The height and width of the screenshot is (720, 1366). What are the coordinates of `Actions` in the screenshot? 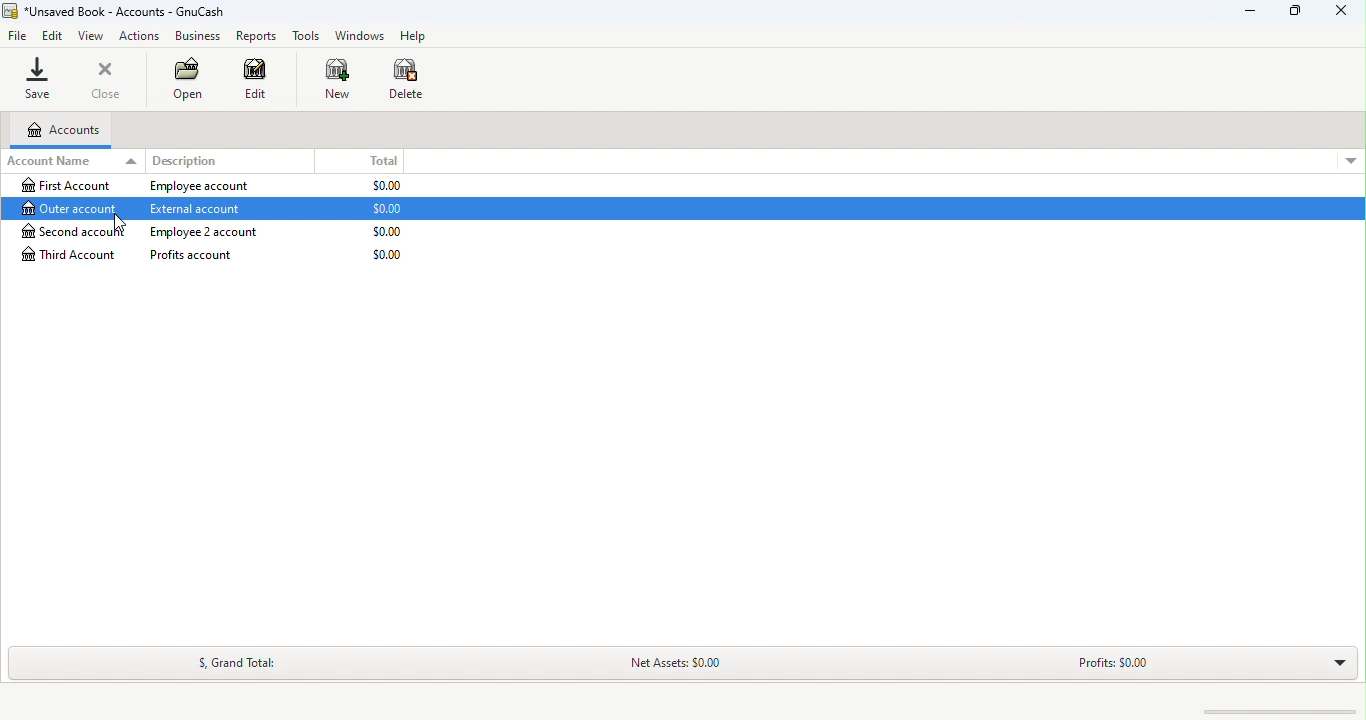 It's located at (140, 35).